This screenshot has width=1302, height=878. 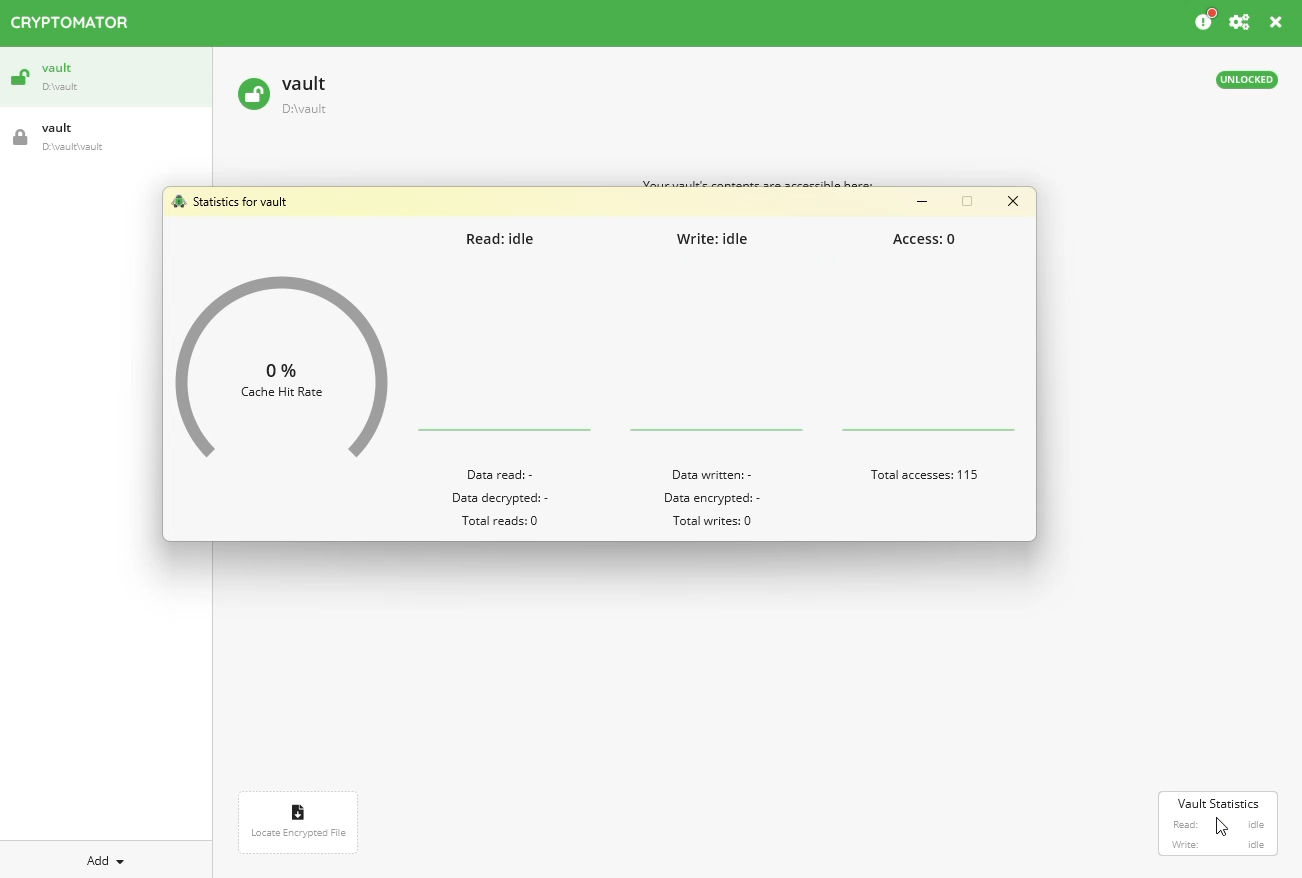 I want to click on data read, so click(x=499, y=474).